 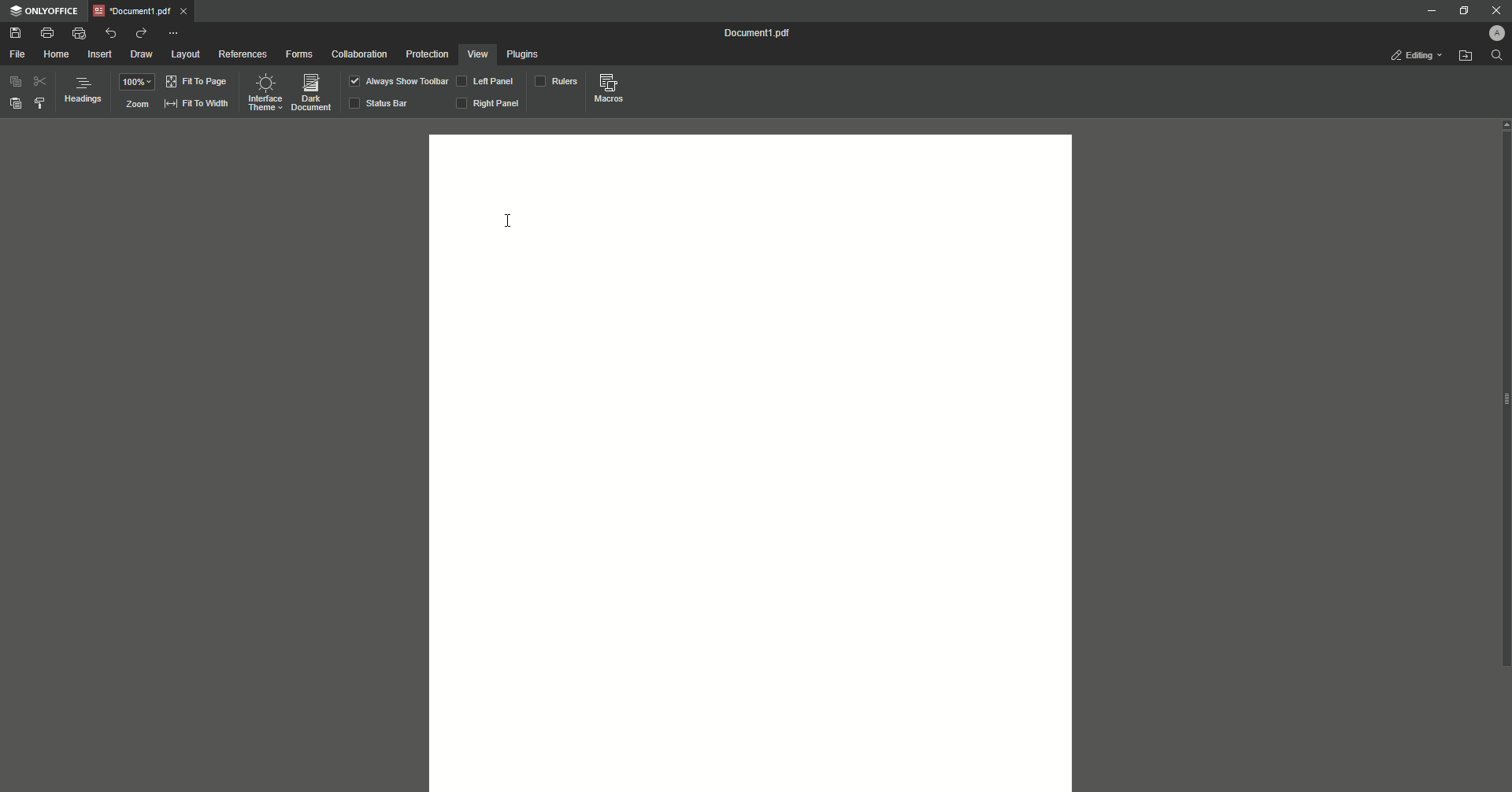 What do you see at coordinates (1498, 397) in the screenshot?
I see `slider` at bounding box center [1498, 397].